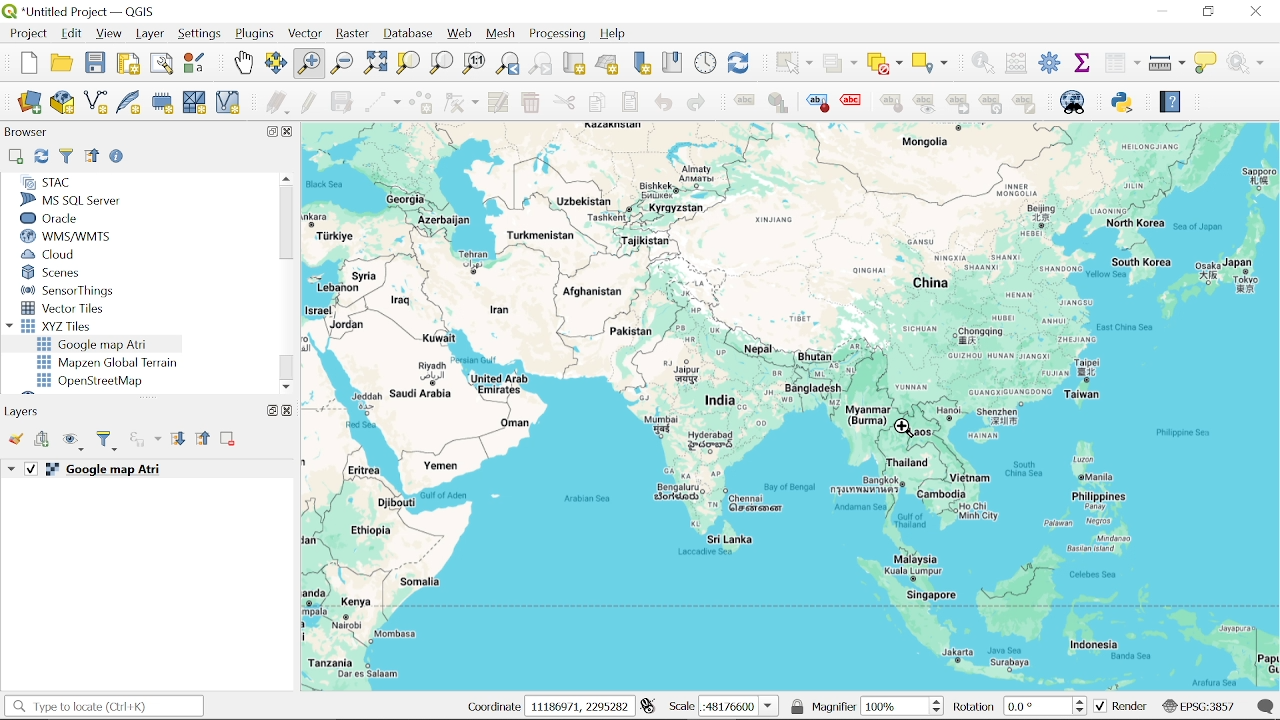 The width and height of the screenshot is (1280, 720). What do you see at coordinates (145, 441) in the screenshot?
I see `insert audio` at bounding box center [145, 441].